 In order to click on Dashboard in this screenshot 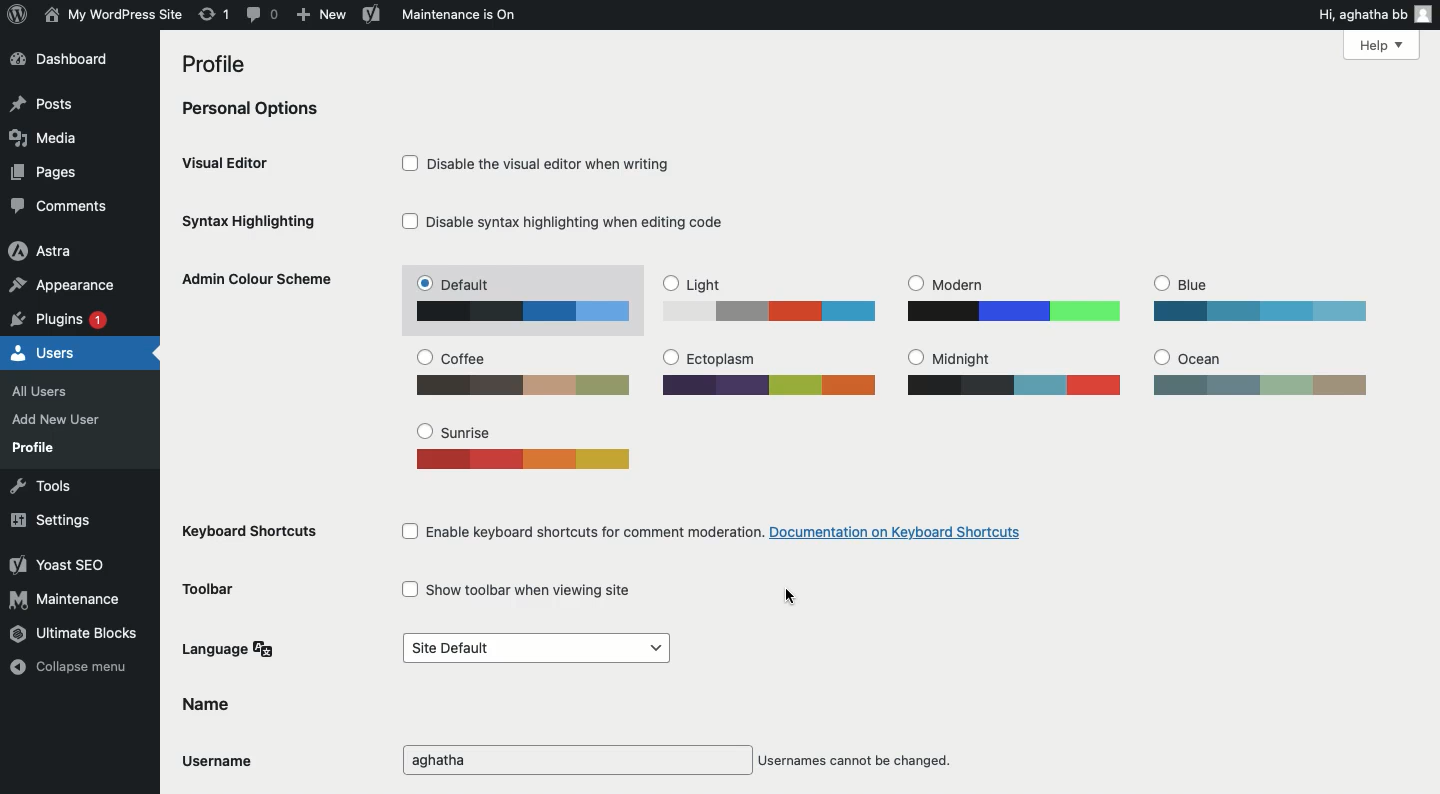, I will do `click(60, 59)`.